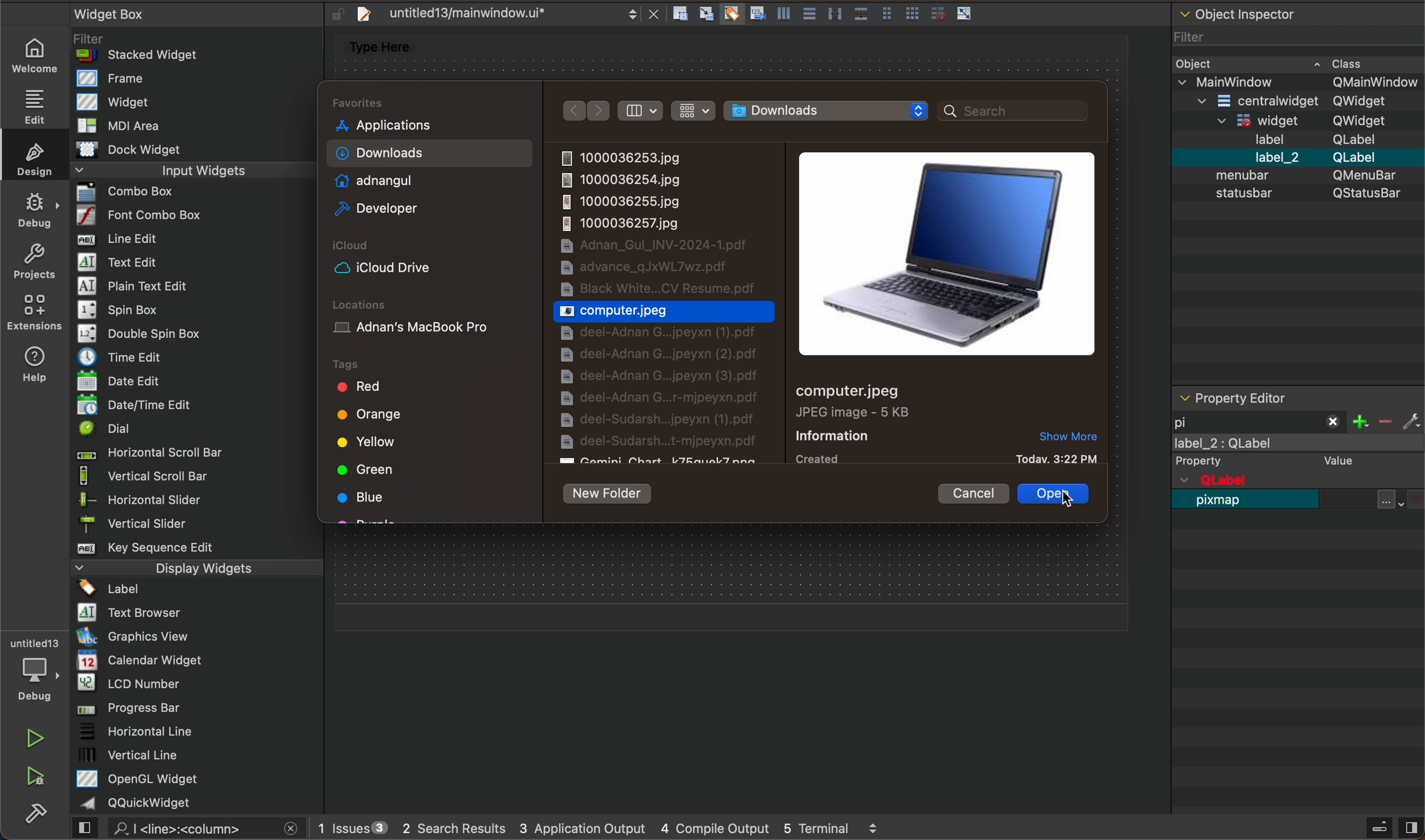  I want to click on label, so click(1300, 454).